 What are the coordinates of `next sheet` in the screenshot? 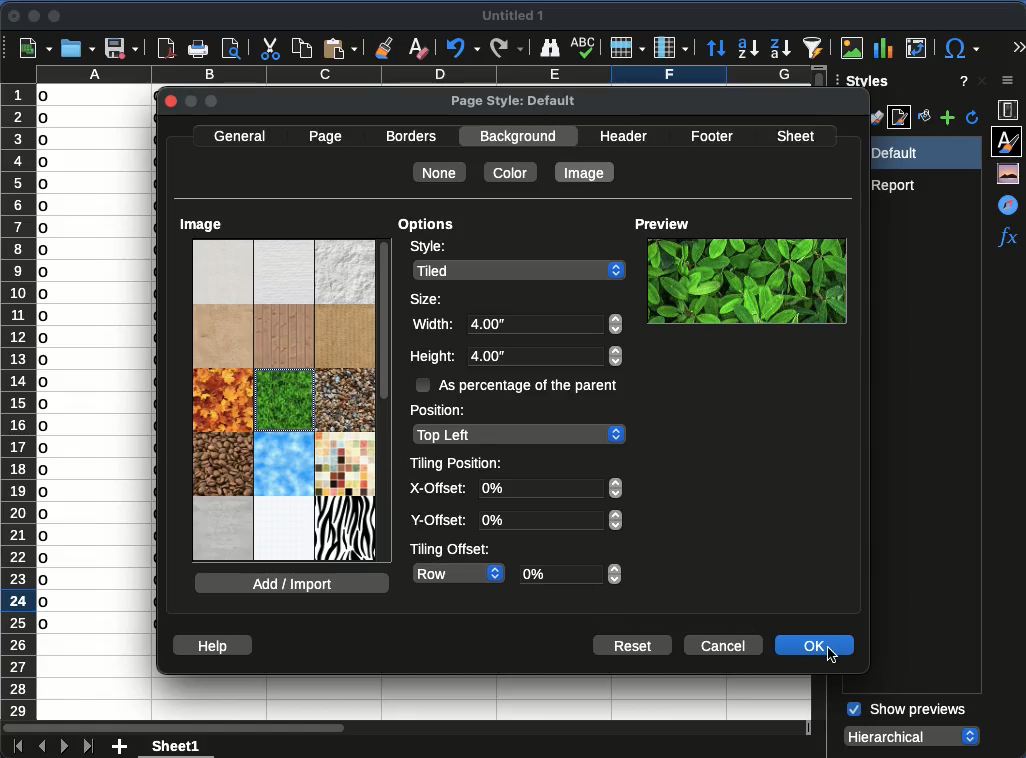 It's located at (62, 747).